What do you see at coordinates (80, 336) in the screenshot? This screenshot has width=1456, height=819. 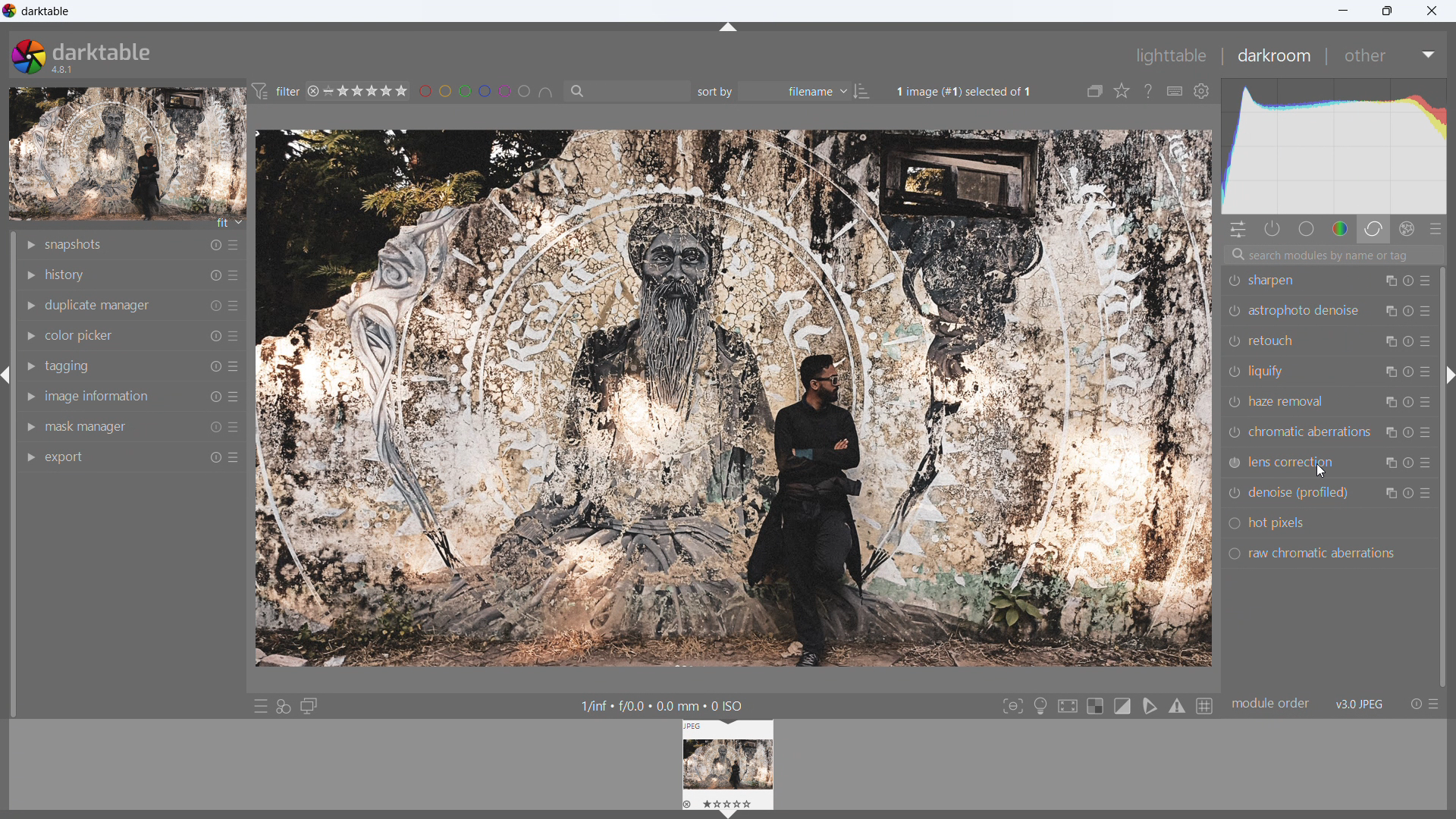 I see `color picker` at bounding box center [80, 336].